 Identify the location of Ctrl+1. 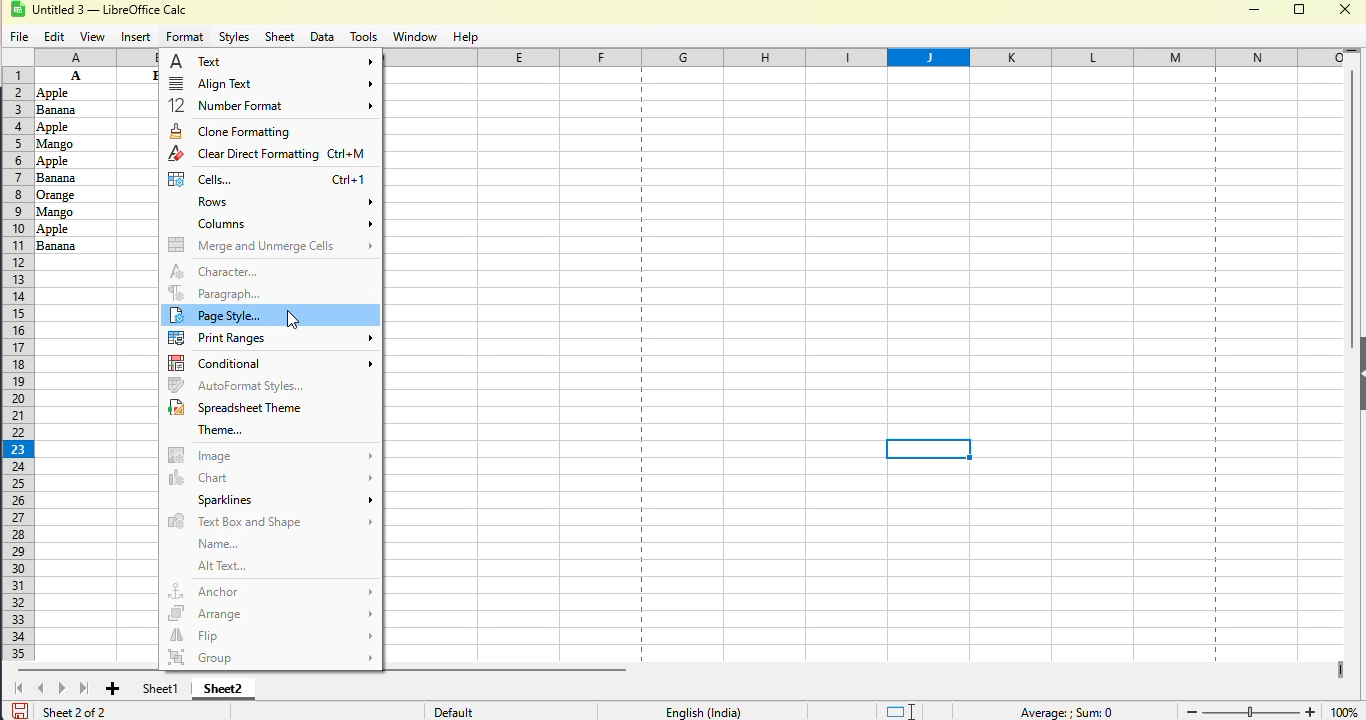
(348, 181).